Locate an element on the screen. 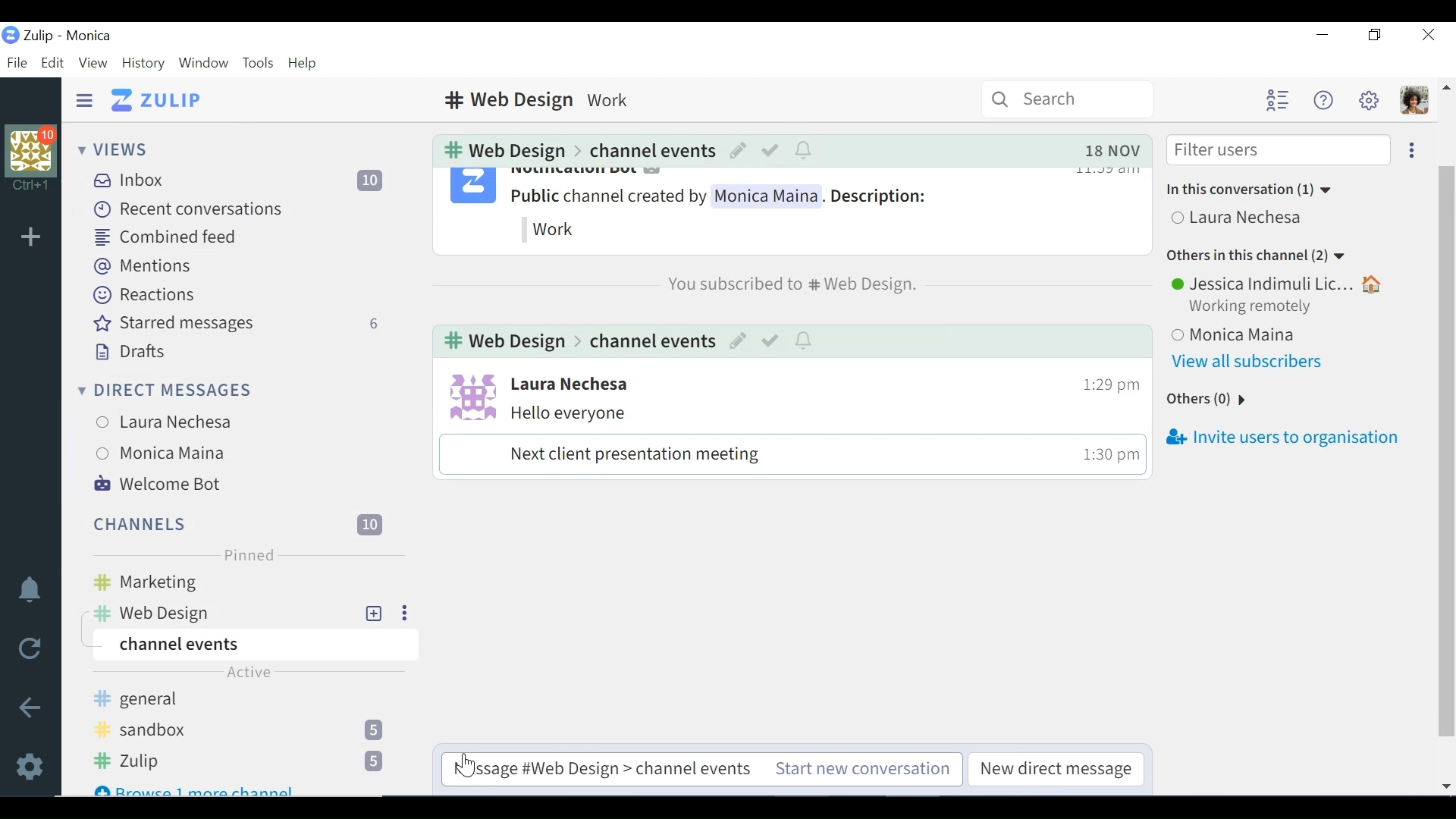 This screenshot has height=819, width=1456. notification is located at coordinates (805, 341).